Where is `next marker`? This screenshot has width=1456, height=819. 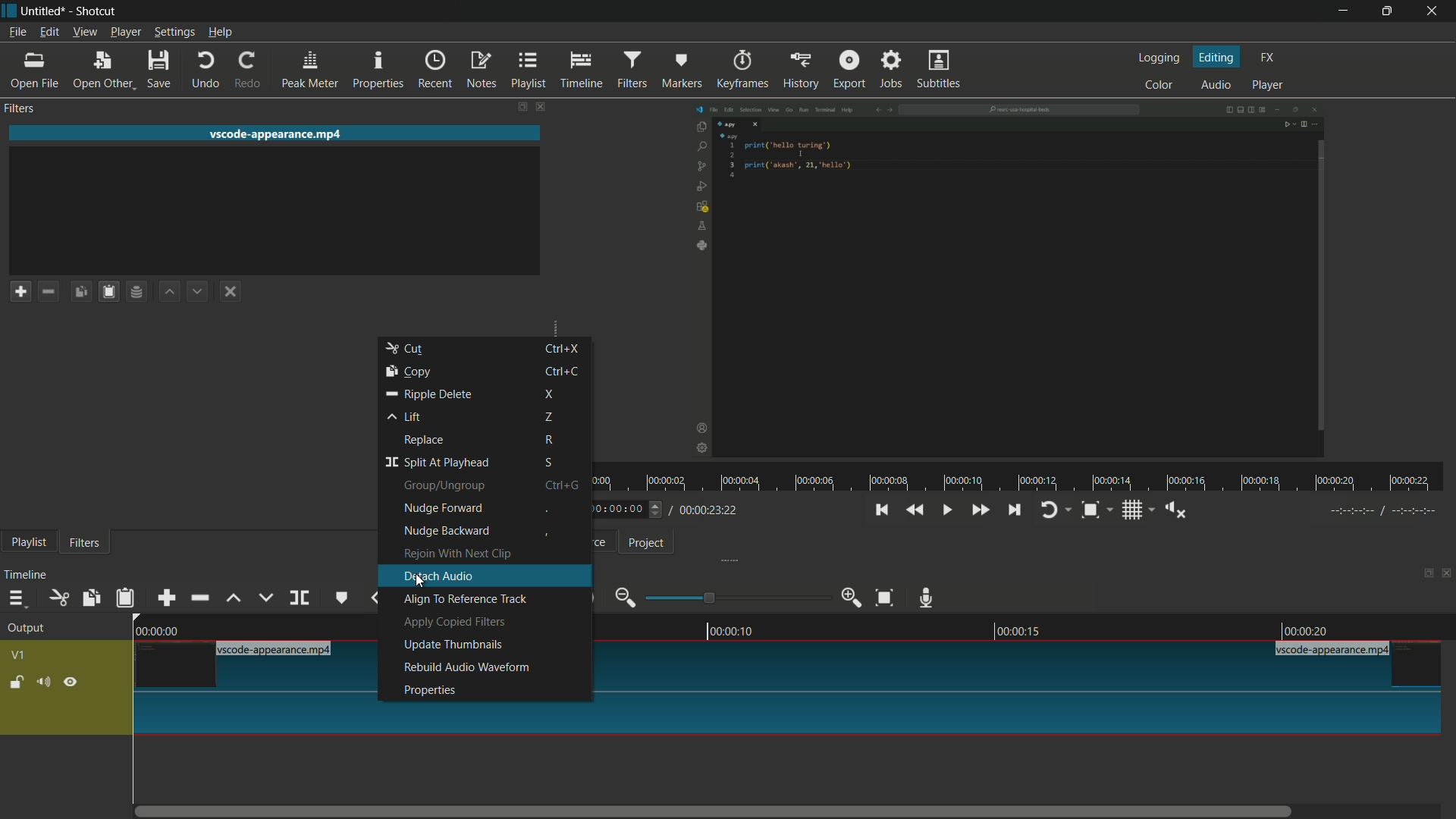 next marker is located at coordinates (422, 585).